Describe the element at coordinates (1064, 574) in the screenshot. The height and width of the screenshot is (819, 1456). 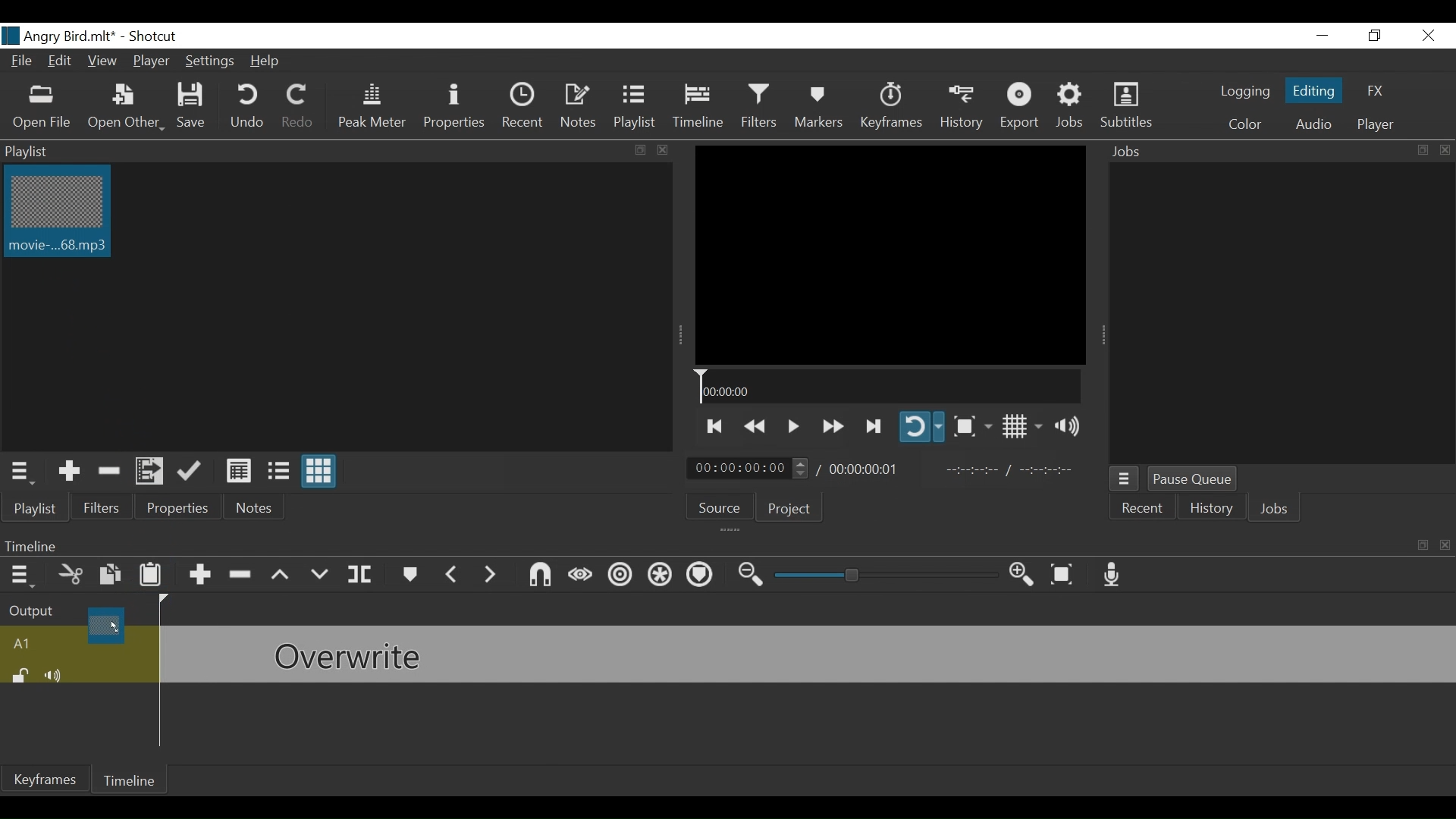
I see `Zoom to fit` at that location.